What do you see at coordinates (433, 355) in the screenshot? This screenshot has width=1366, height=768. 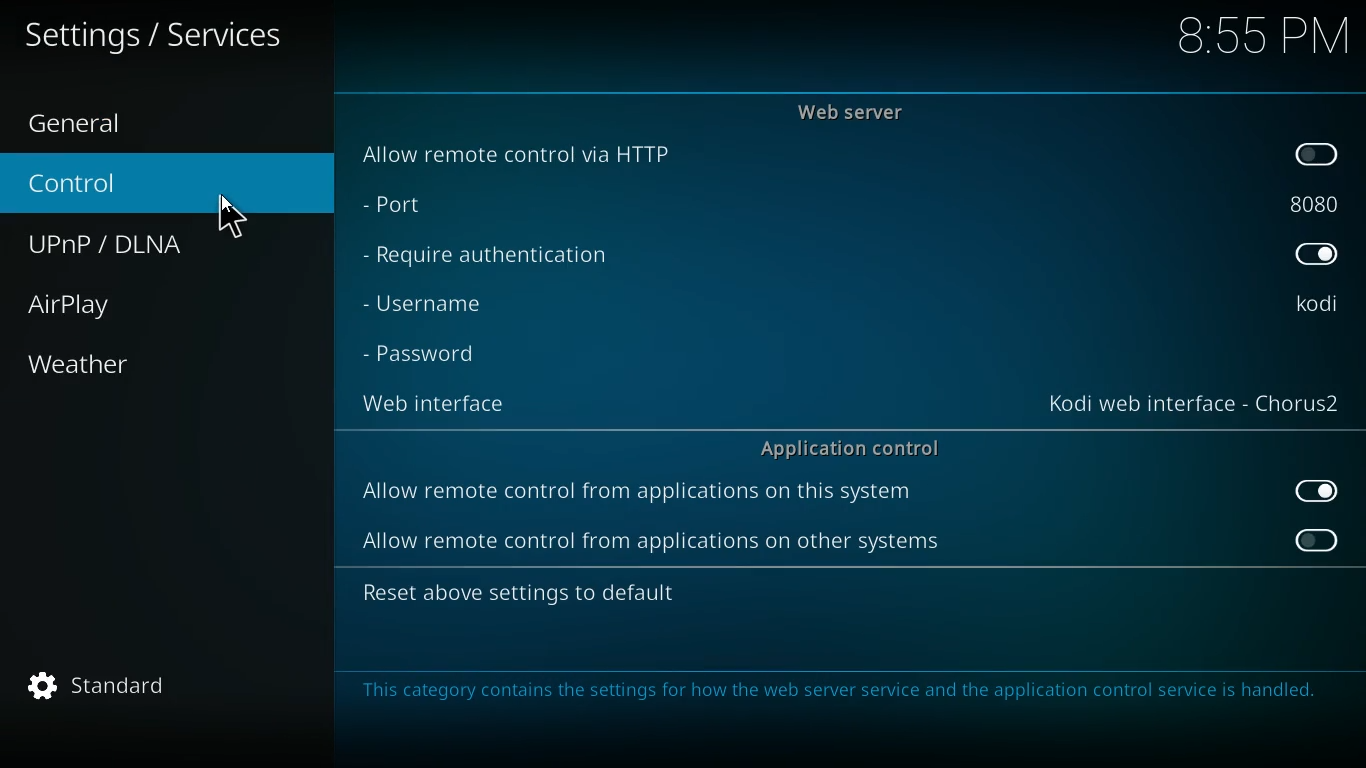 I see `password` at bounding box center [433, 355].